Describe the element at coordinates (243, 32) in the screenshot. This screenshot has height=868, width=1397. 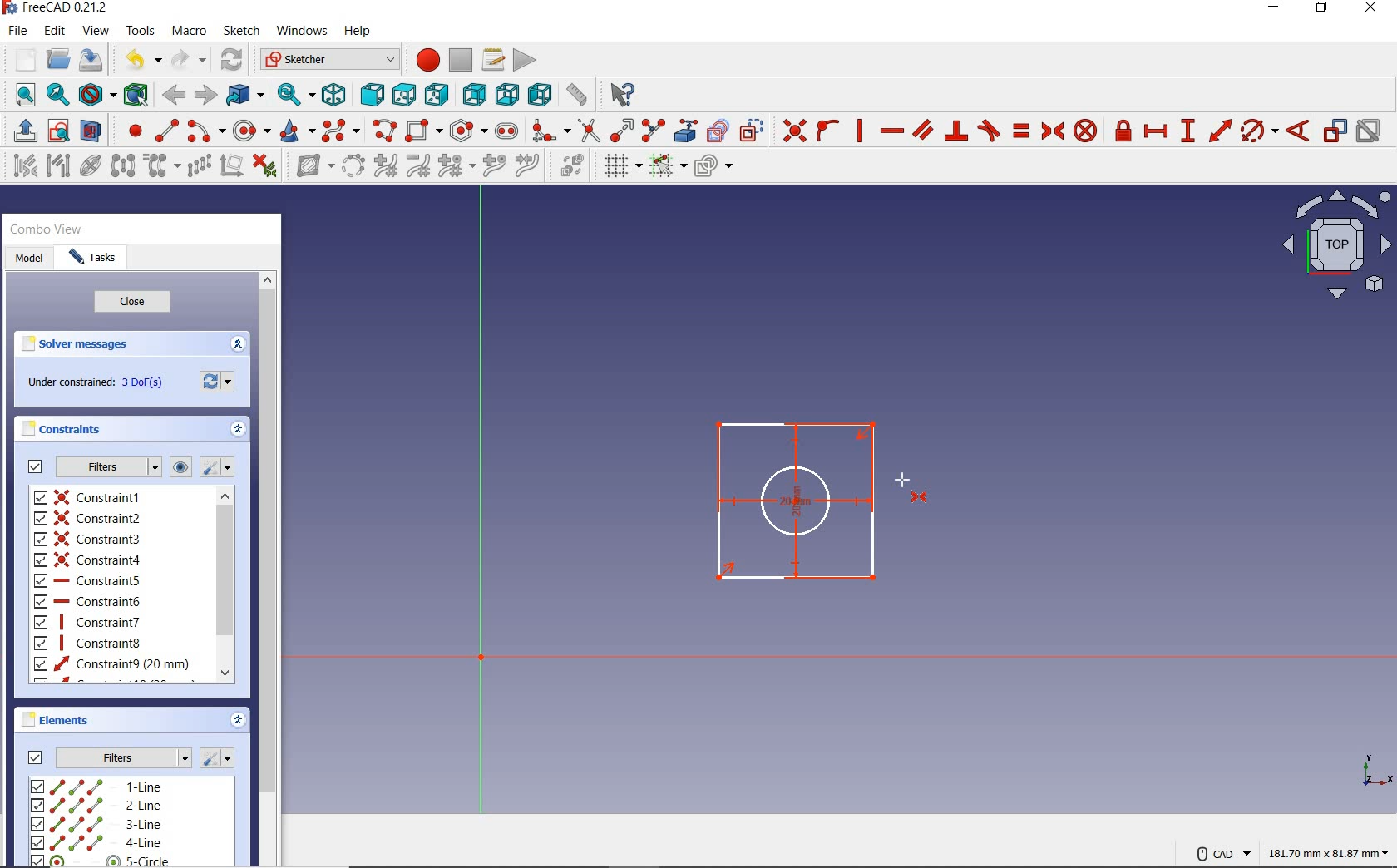
I see `sketch` at that location.